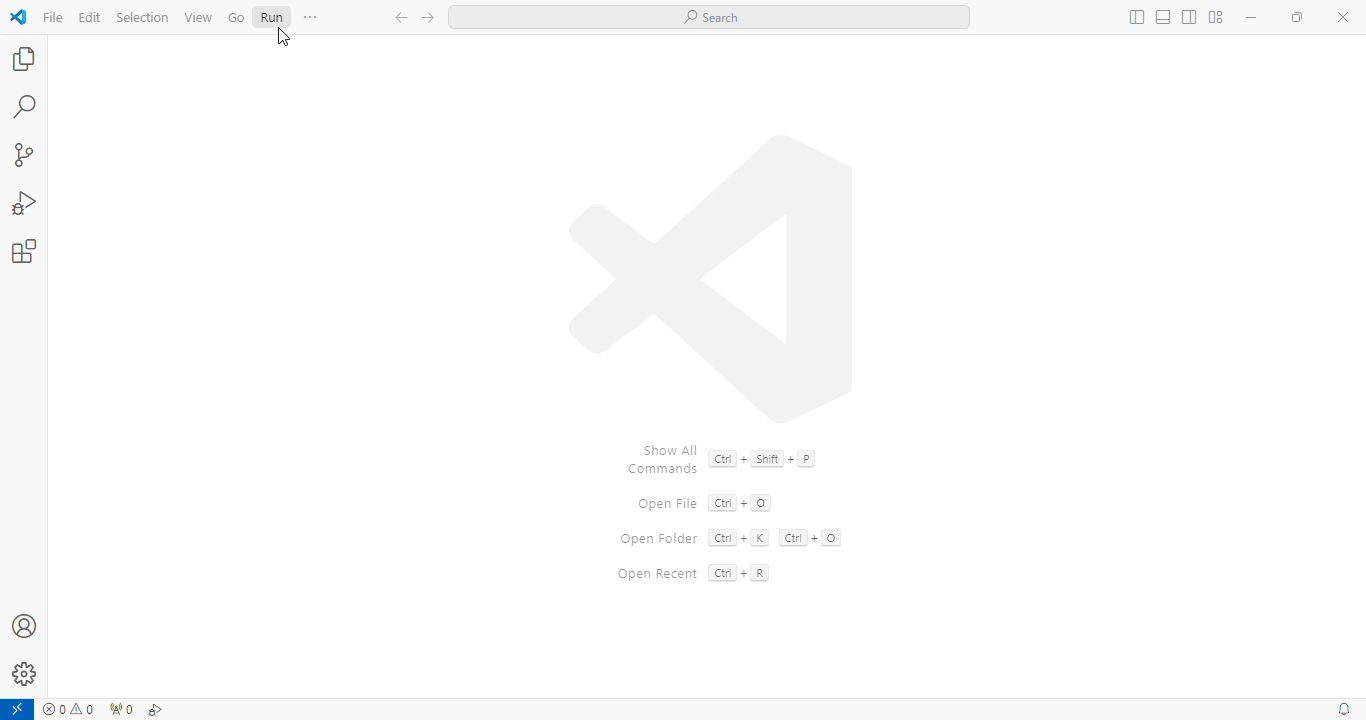  Describe the element at coordinates (657, 539) in the screenshot. I see `open folder` at that location.